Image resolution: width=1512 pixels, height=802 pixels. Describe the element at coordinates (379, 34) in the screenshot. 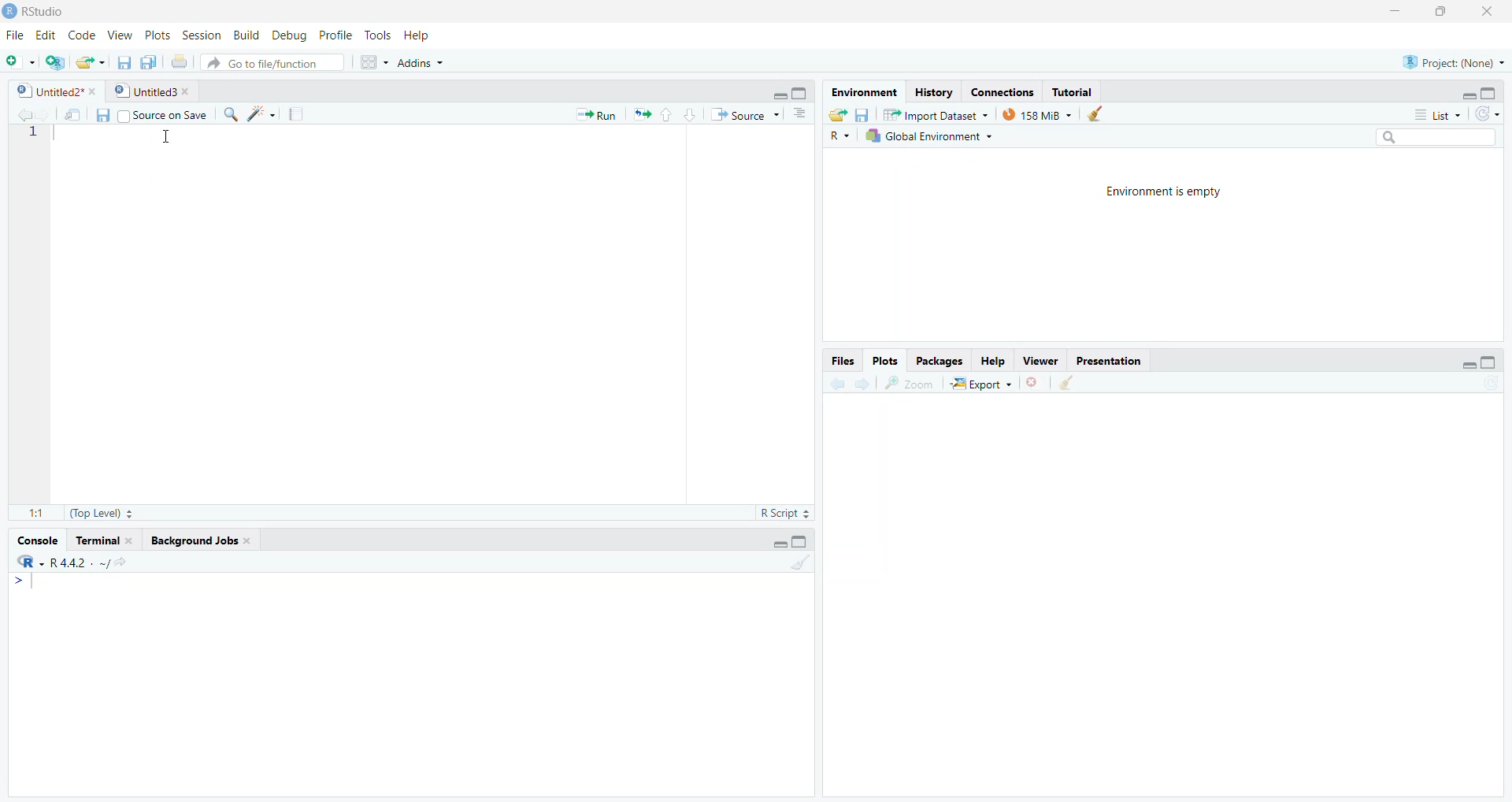

I see `Tools` at that location.